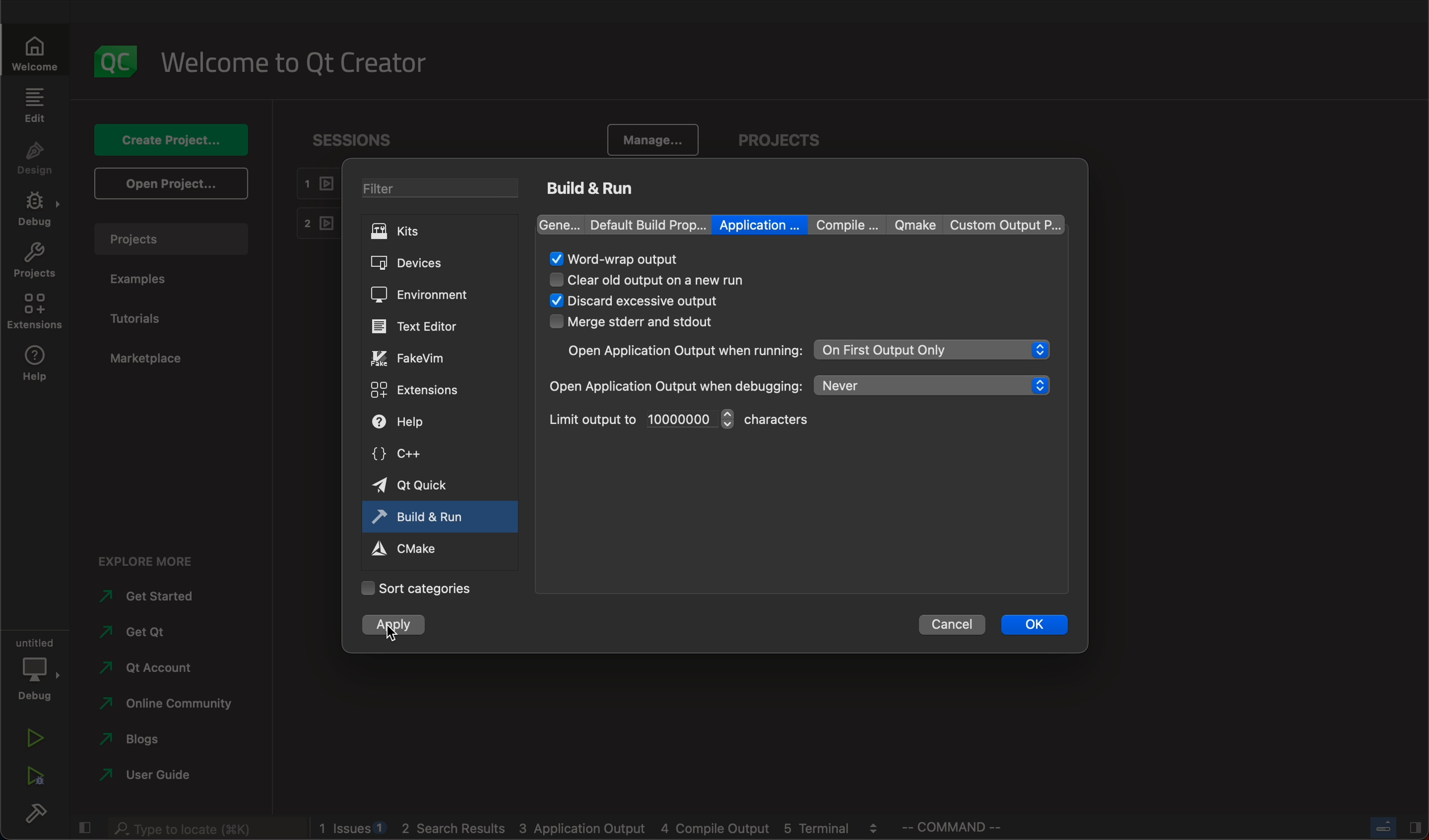 This screenshot has width=1429, height=840. Describe the element at coordinates (33, 313) in the screenshot. I see `extensions` at that location.